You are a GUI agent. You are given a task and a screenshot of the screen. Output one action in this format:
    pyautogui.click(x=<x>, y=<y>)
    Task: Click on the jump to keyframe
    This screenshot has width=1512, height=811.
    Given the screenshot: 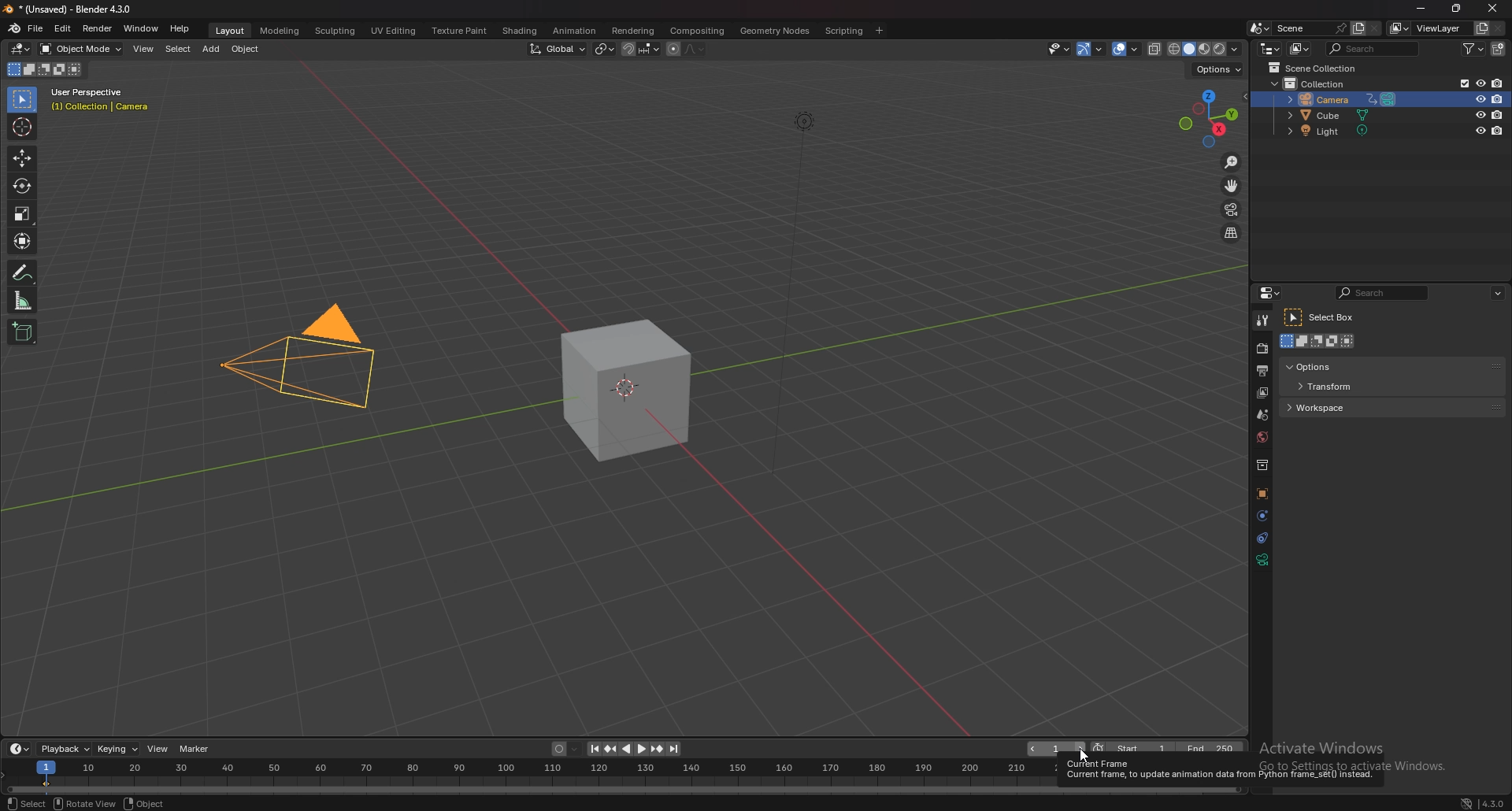 What is the action you would take?
    pyautogui.click(x=610, y=749)
    